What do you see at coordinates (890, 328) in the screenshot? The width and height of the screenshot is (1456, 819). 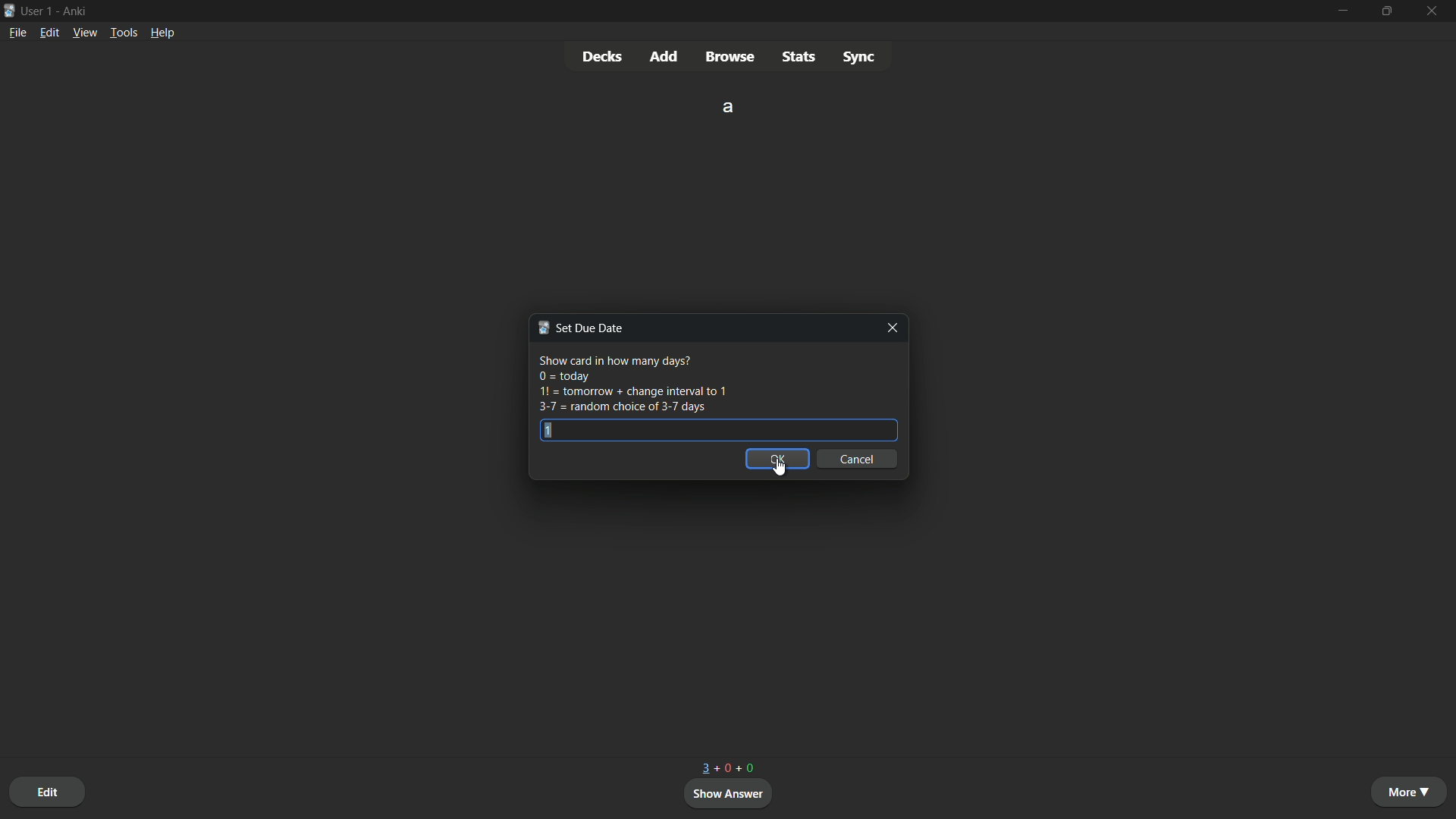 I see `close window` at bounding box center [890, 328].